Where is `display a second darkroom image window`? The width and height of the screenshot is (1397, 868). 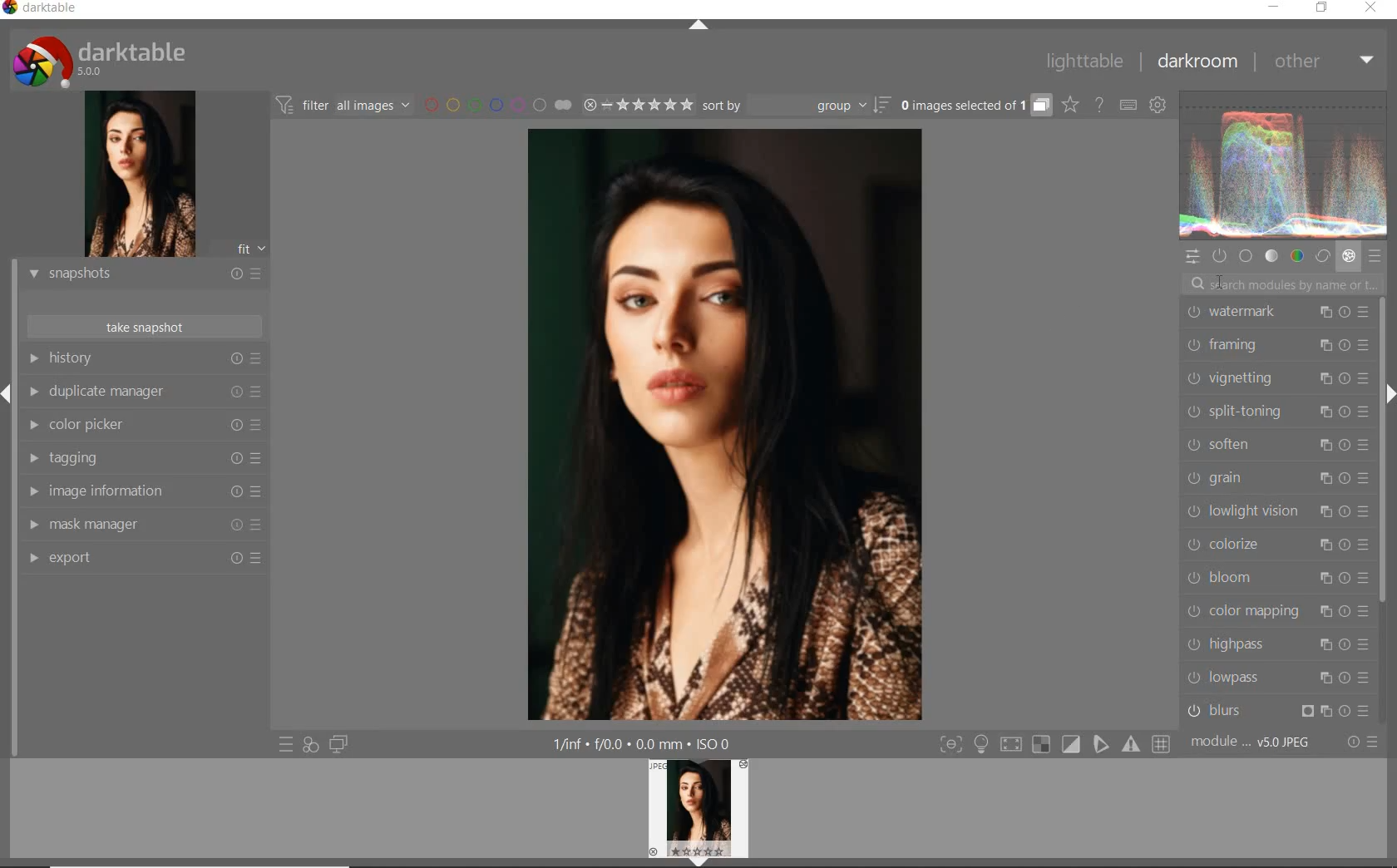 display a second darkroom image window is located at coordinates (339, 743).